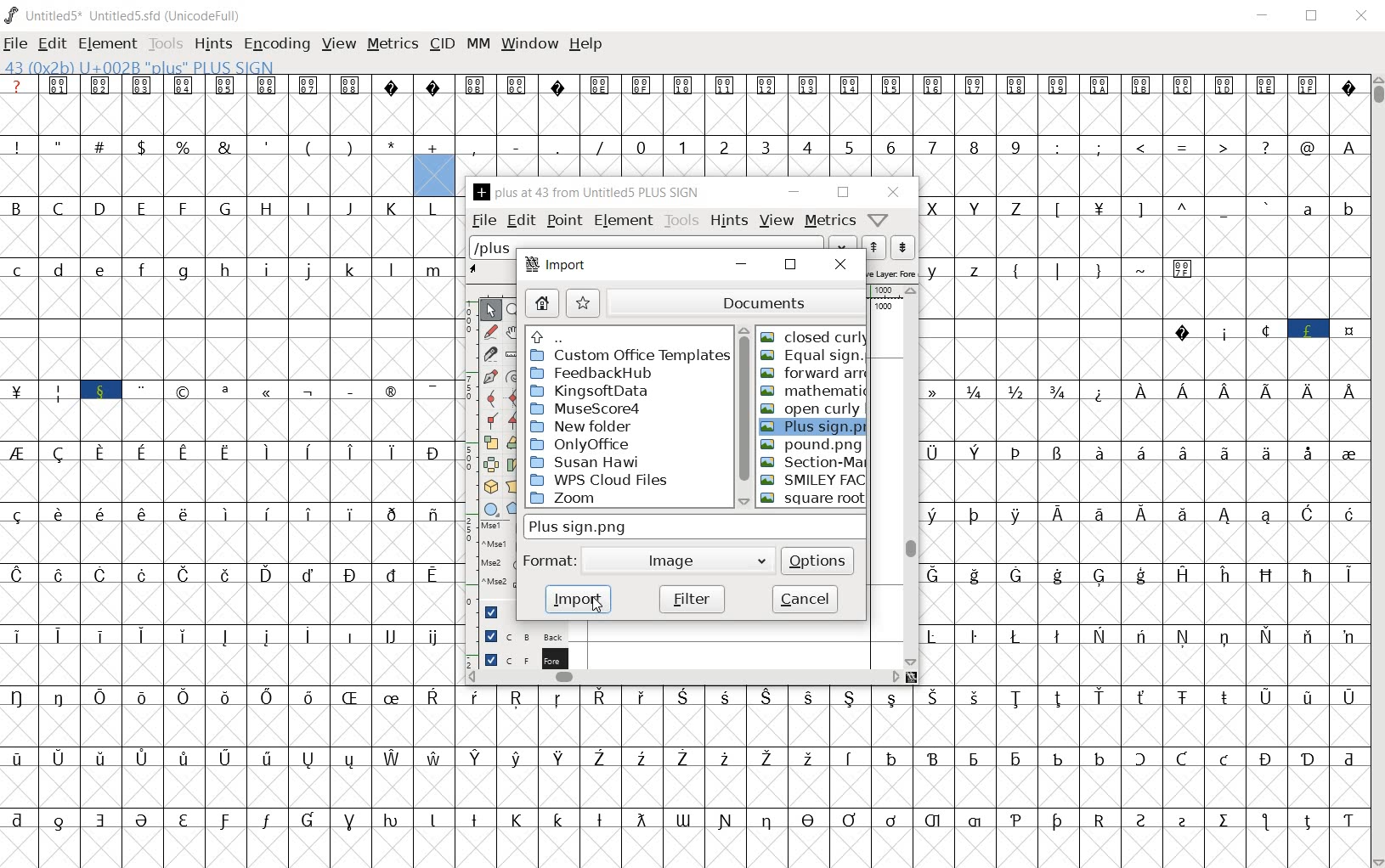 The height and width of the screenshot is (868, 1385). Describe the element at coordinates (663, 246) in the screenshot. I see `load word list` at that location.